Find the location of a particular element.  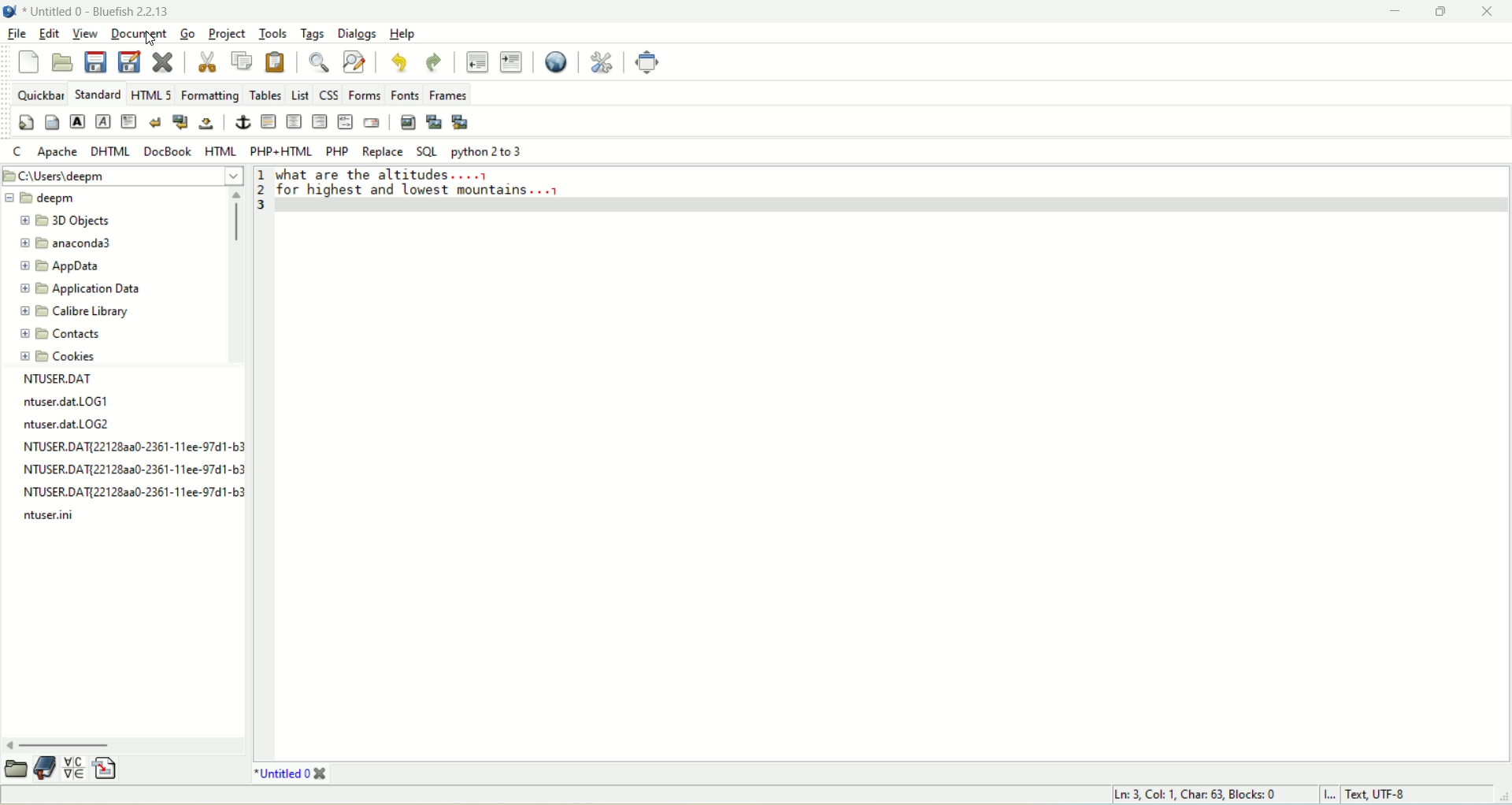

full screen is located at coordinates (647, 62).